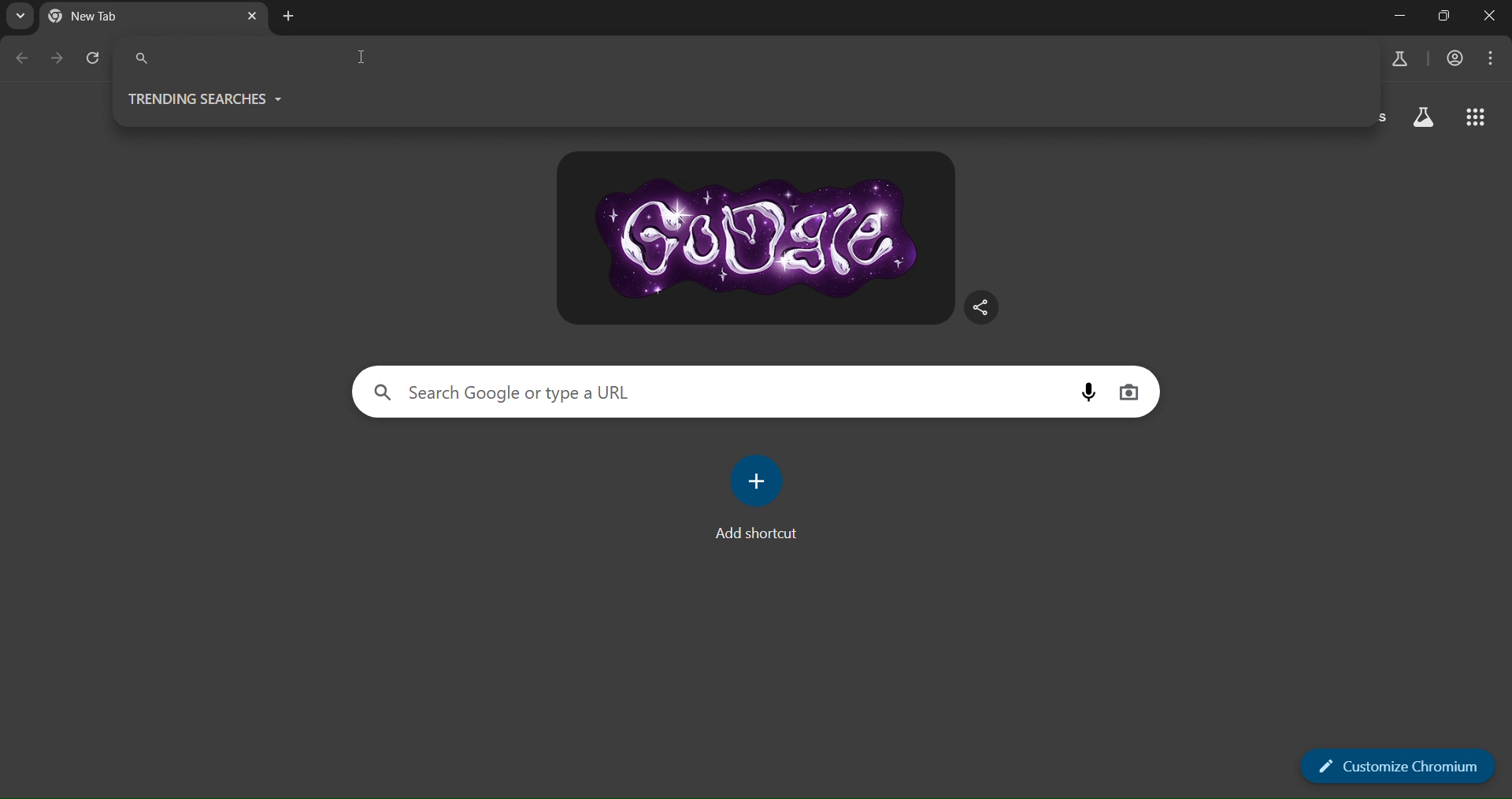 This screenshot has height=799, width=1512. Describe the element at coordinates (292, 17) in the screenshot. I see `new tab` at that location.